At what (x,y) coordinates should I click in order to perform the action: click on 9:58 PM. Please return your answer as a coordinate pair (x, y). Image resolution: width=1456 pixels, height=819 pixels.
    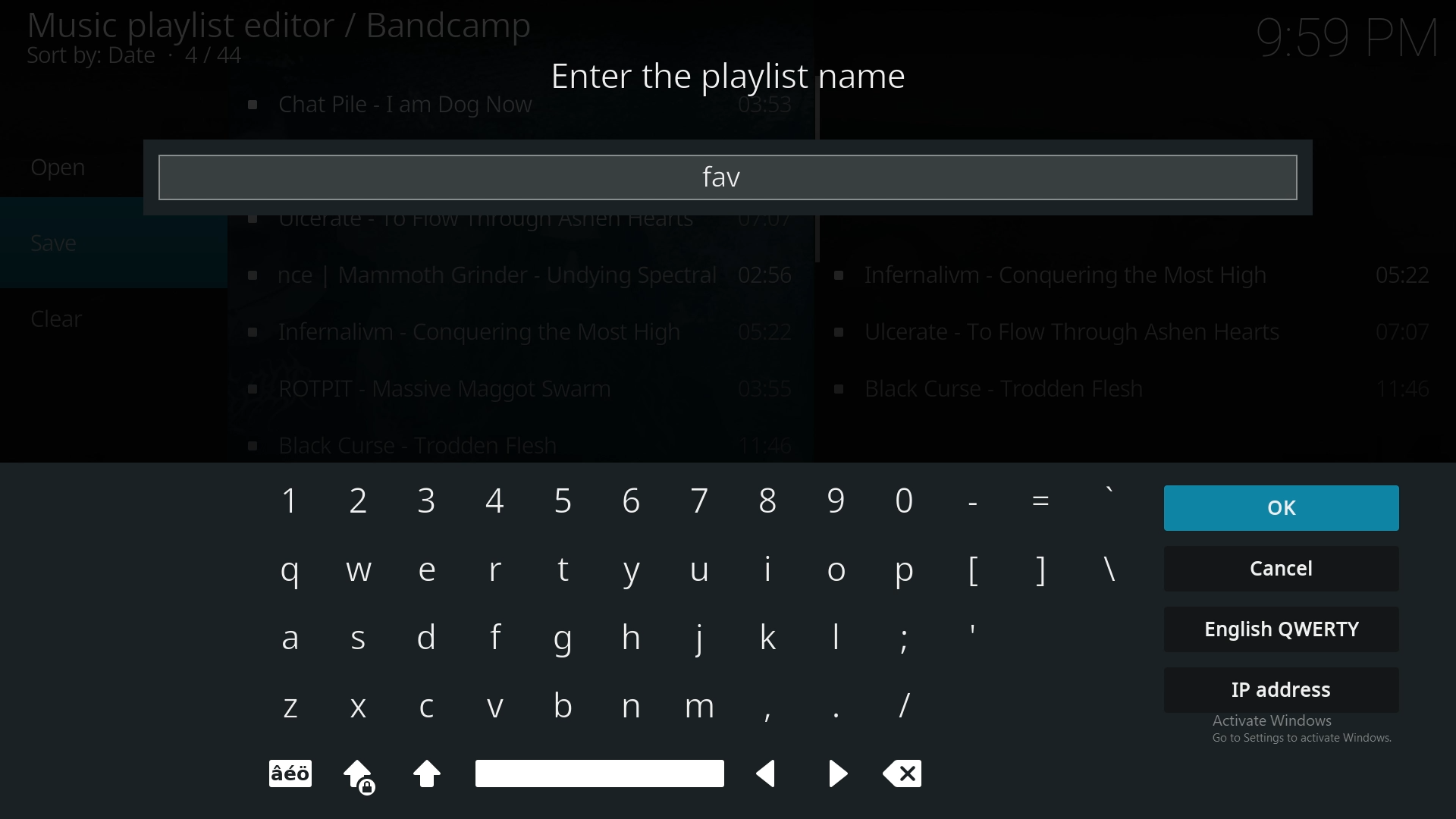
    Looking at the image, I should click on (1341, 42).